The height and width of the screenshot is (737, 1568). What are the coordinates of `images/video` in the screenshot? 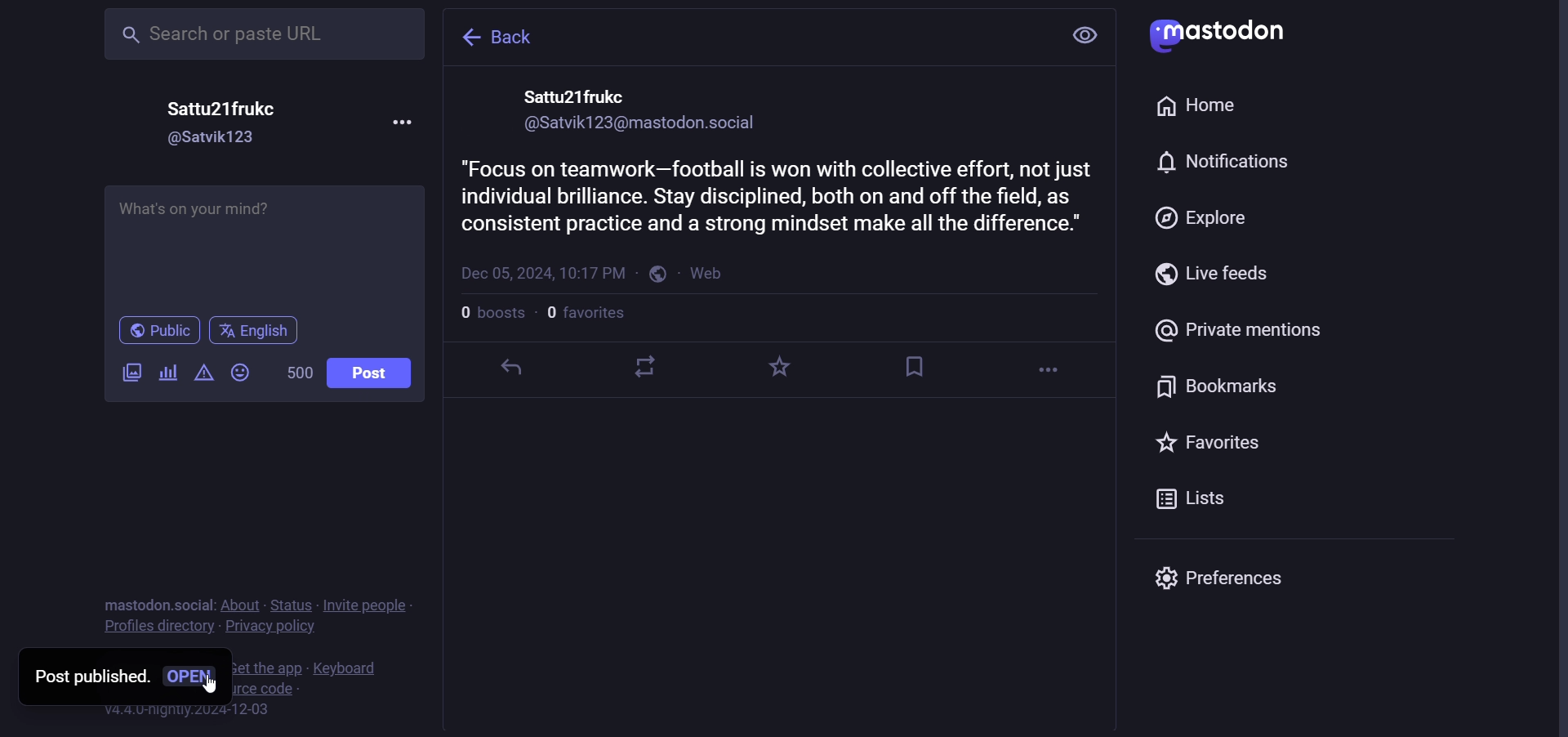 It's located at (123, 377).